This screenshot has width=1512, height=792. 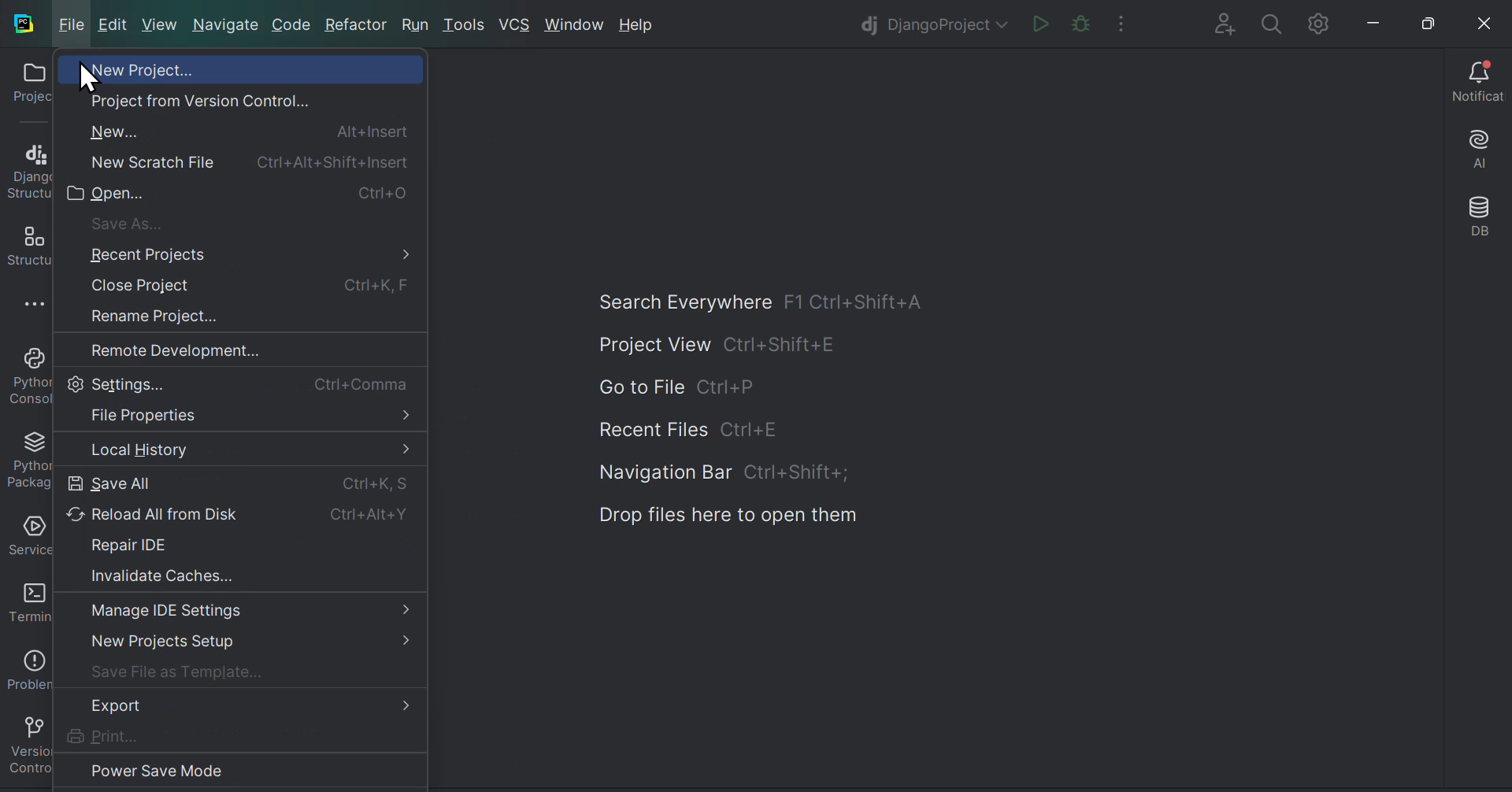 I want to click on Refractor, so click(x=356, y=24).